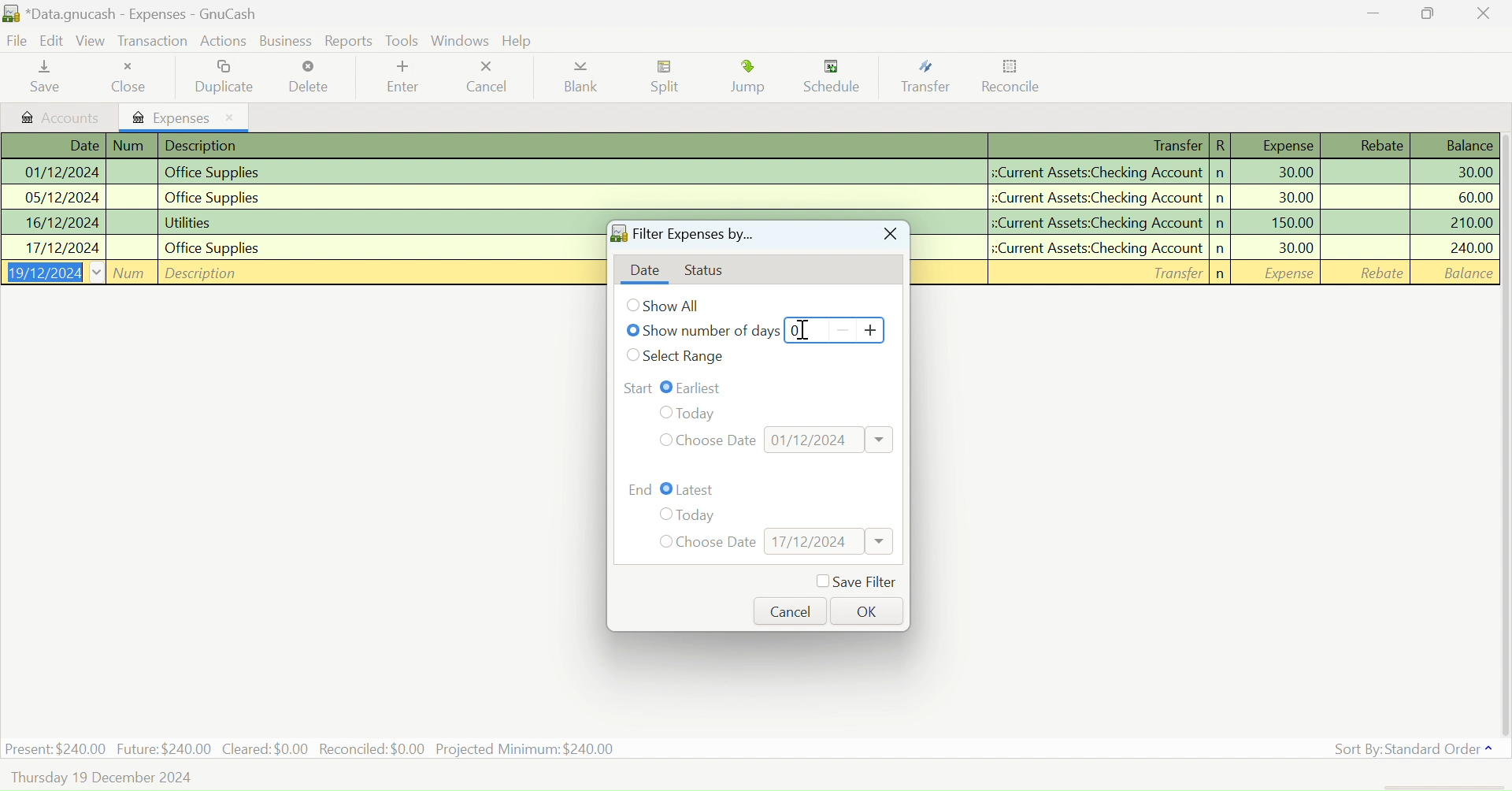 This screenshot has width=1512, height=791. I want to click on Latest, so click(698, 490).